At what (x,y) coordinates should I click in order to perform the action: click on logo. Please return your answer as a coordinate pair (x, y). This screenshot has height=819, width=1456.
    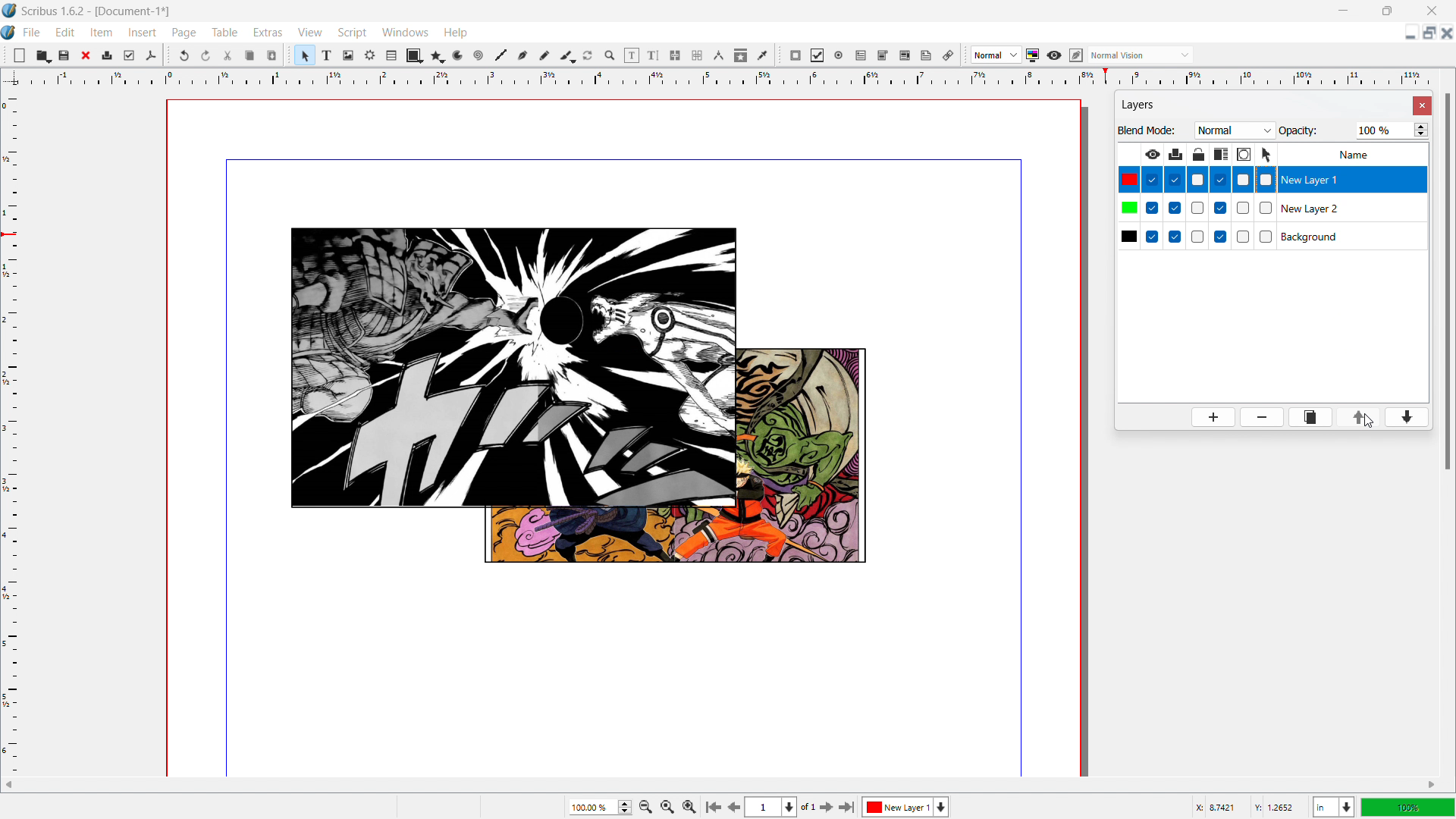
    Looking at the image, I should click on (9, 31).